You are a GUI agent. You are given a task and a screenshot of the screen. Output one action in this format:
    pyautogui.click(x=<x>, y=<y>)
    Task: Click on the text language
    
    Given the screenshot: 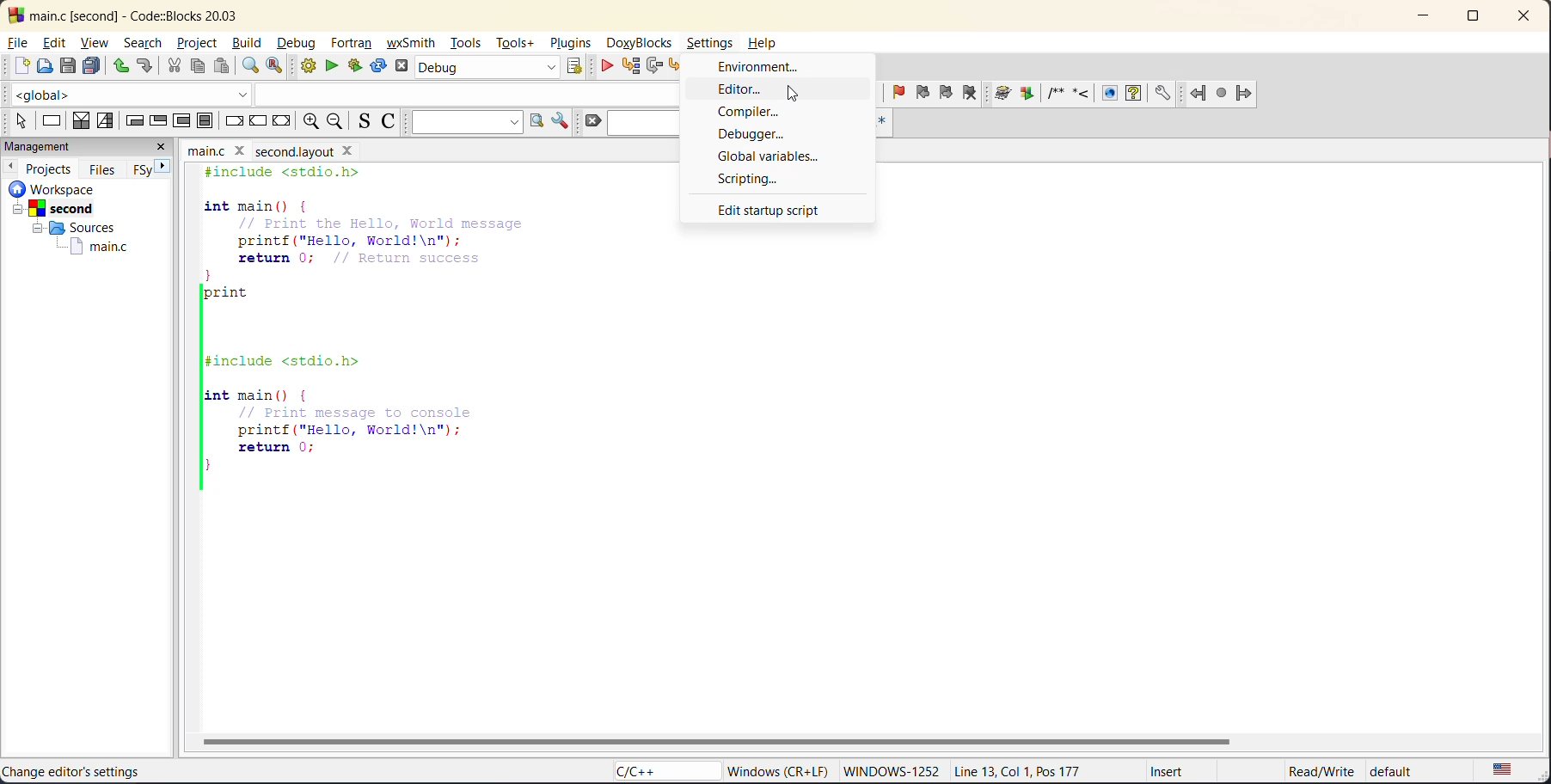 What is the action you would take?
    pyautogui.click(x=1505, y=769)
    